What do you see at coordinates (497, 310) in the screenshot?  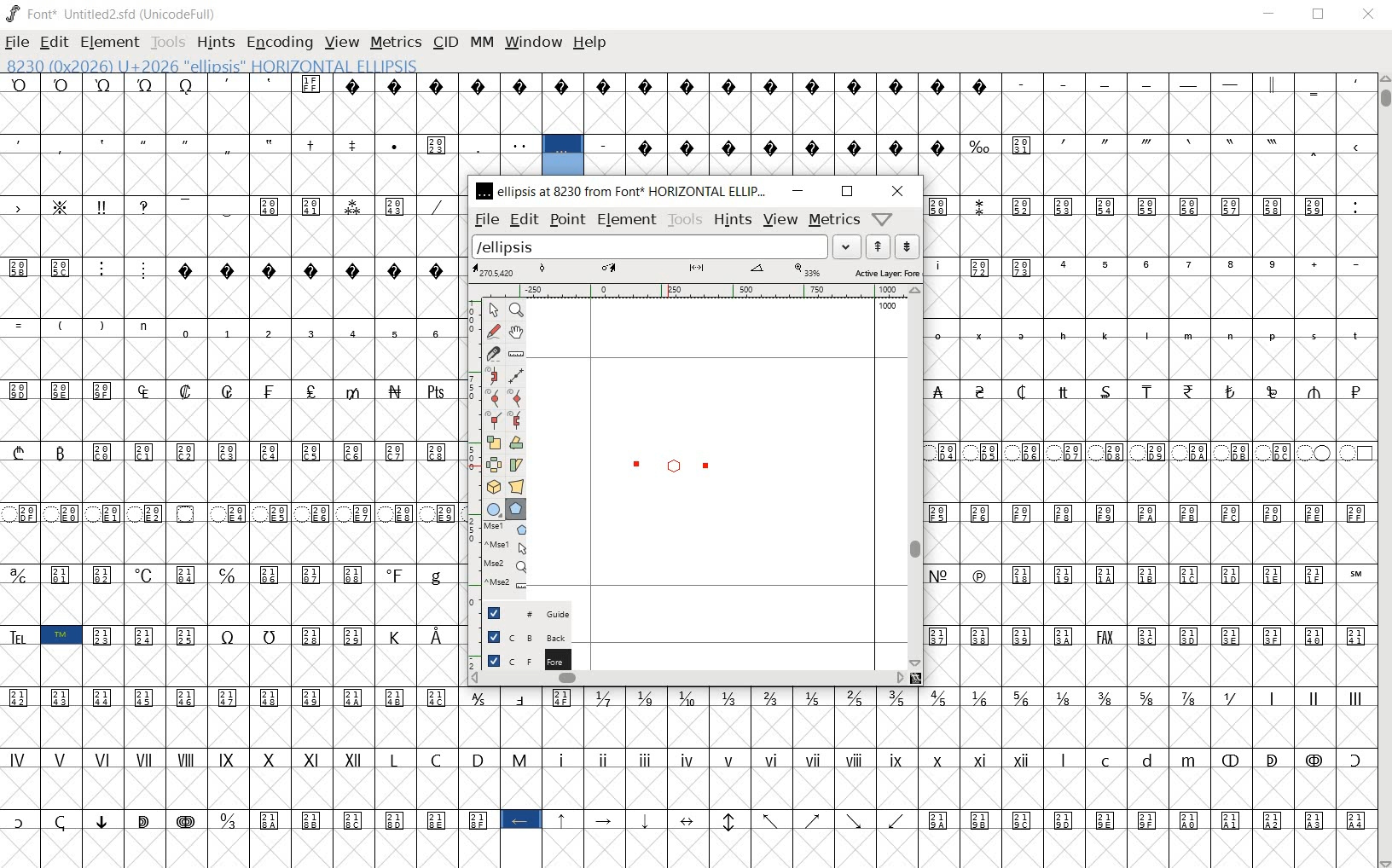 I see `POINTER` at bounding box center [497, 310].